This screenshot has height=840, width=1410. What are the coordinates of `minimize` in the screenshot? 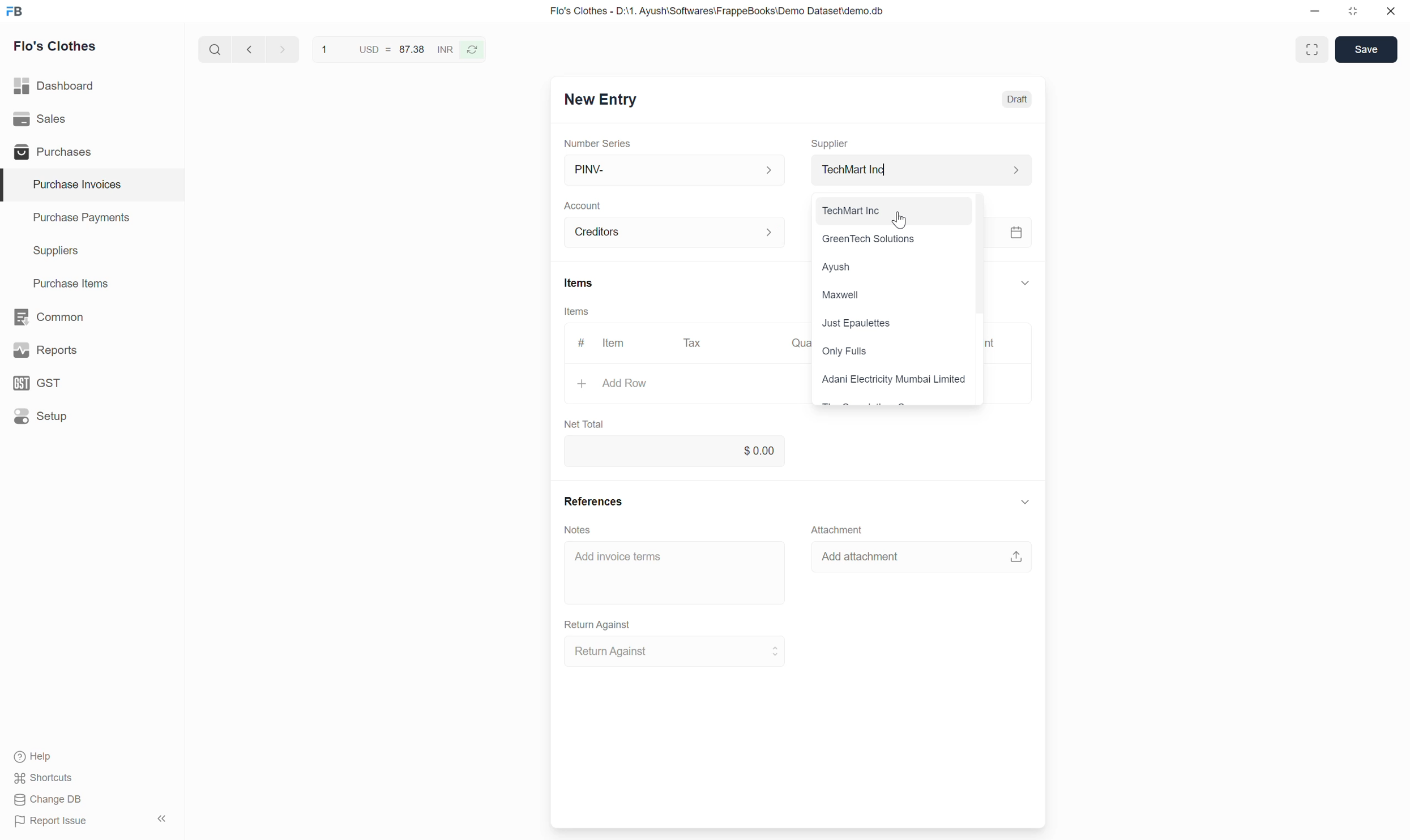 It's located at (1315, 14).